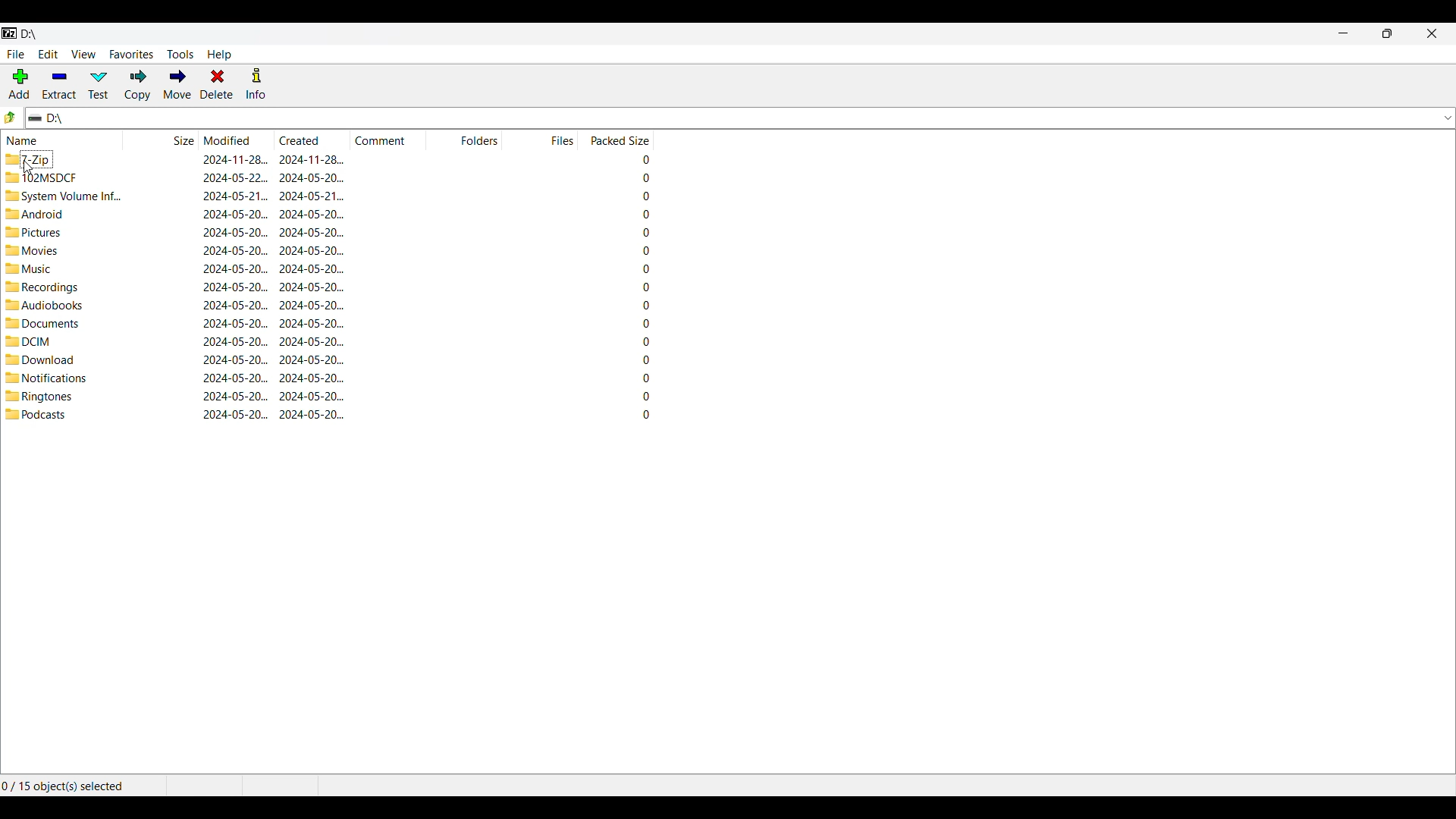 This screenshot has height=819, width=1456. What do you see at coordinates (728, 118) in the screenshot?
I see `Location and logo of current folder changed` at bounding box center [728, 118].